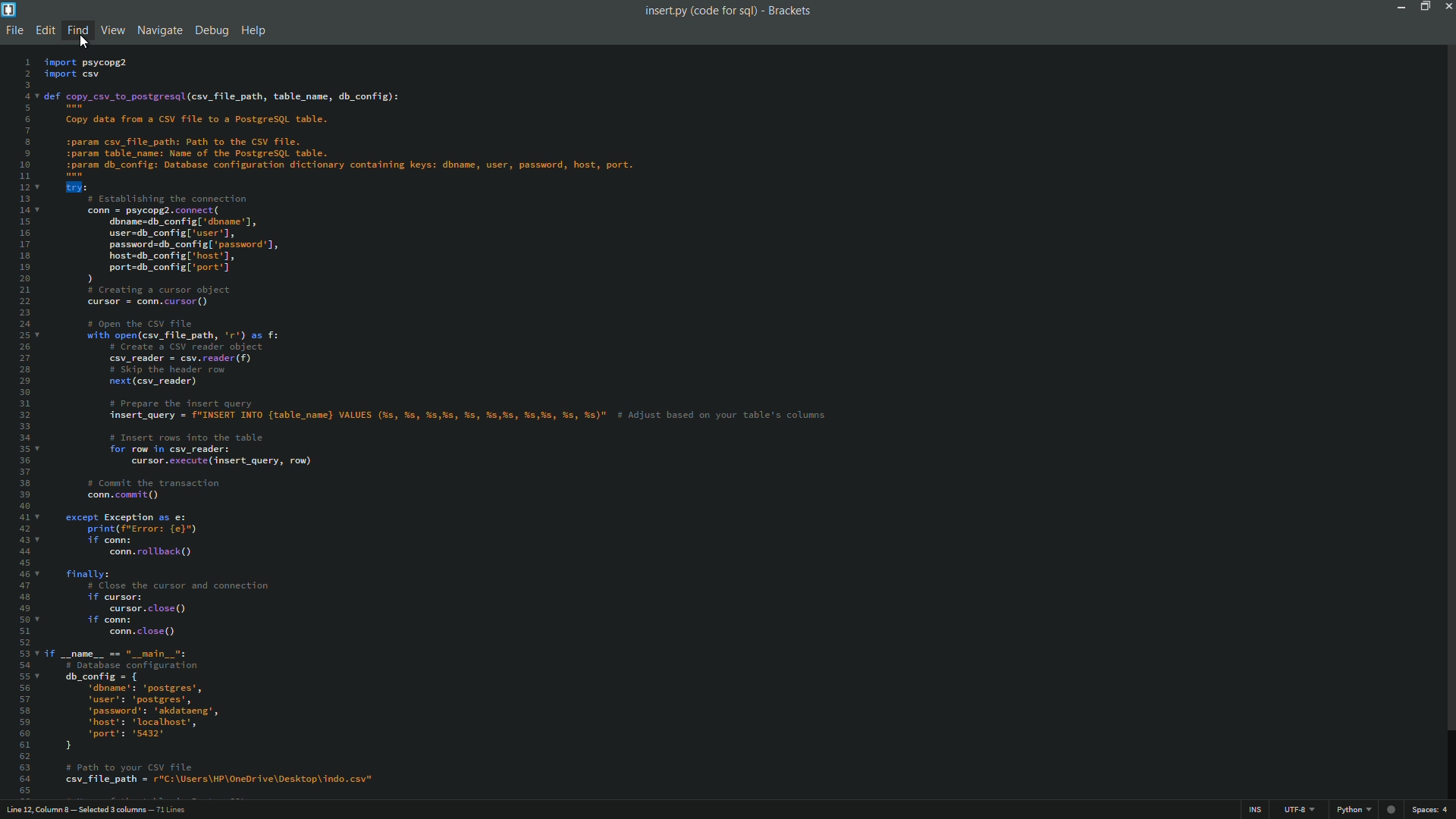  Describe the element at coordinates (20, 425) in the screenshot. I see `line numbers` at that location.